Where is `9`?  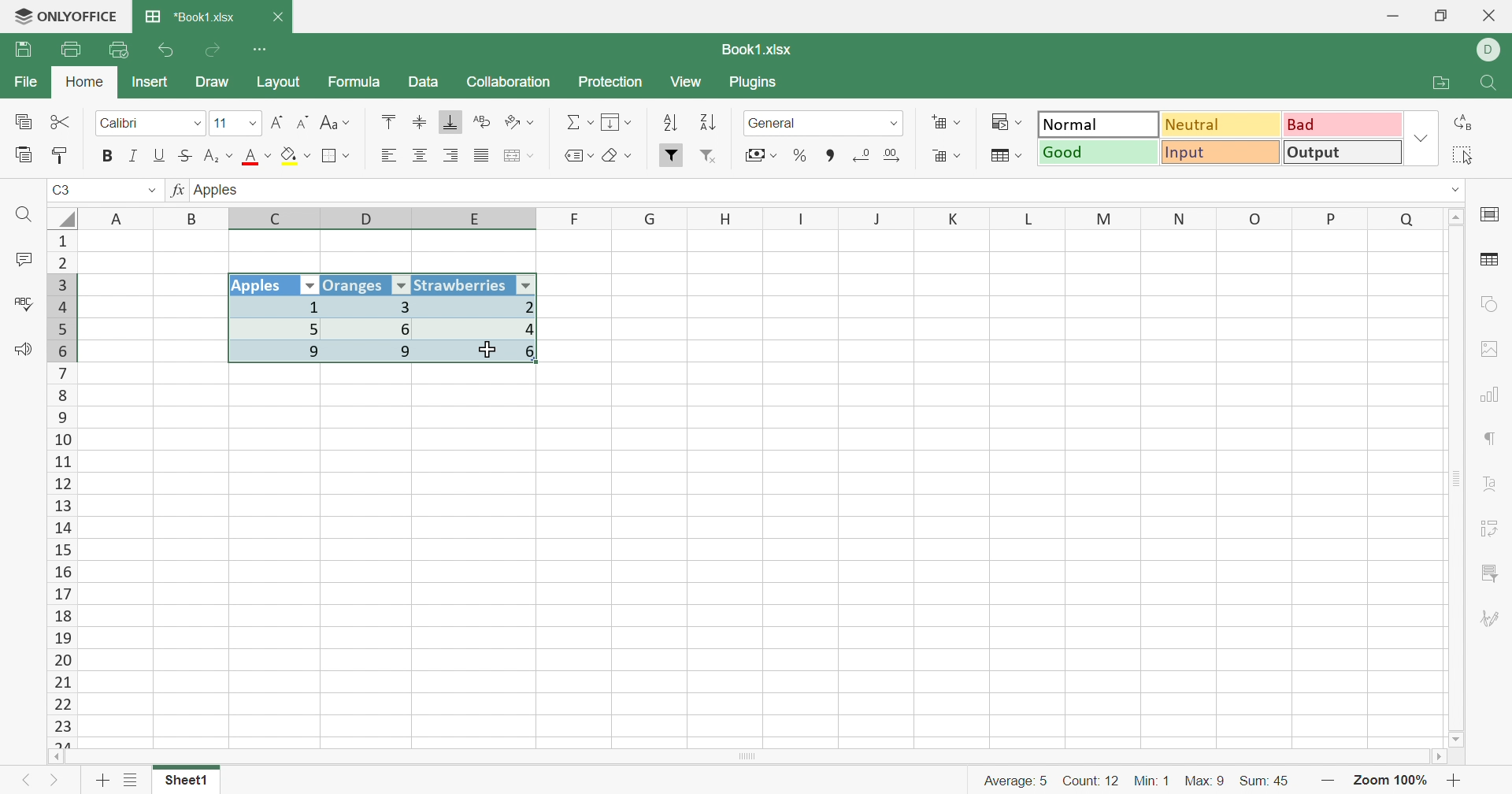 9 is located at coordinates (377, 353).